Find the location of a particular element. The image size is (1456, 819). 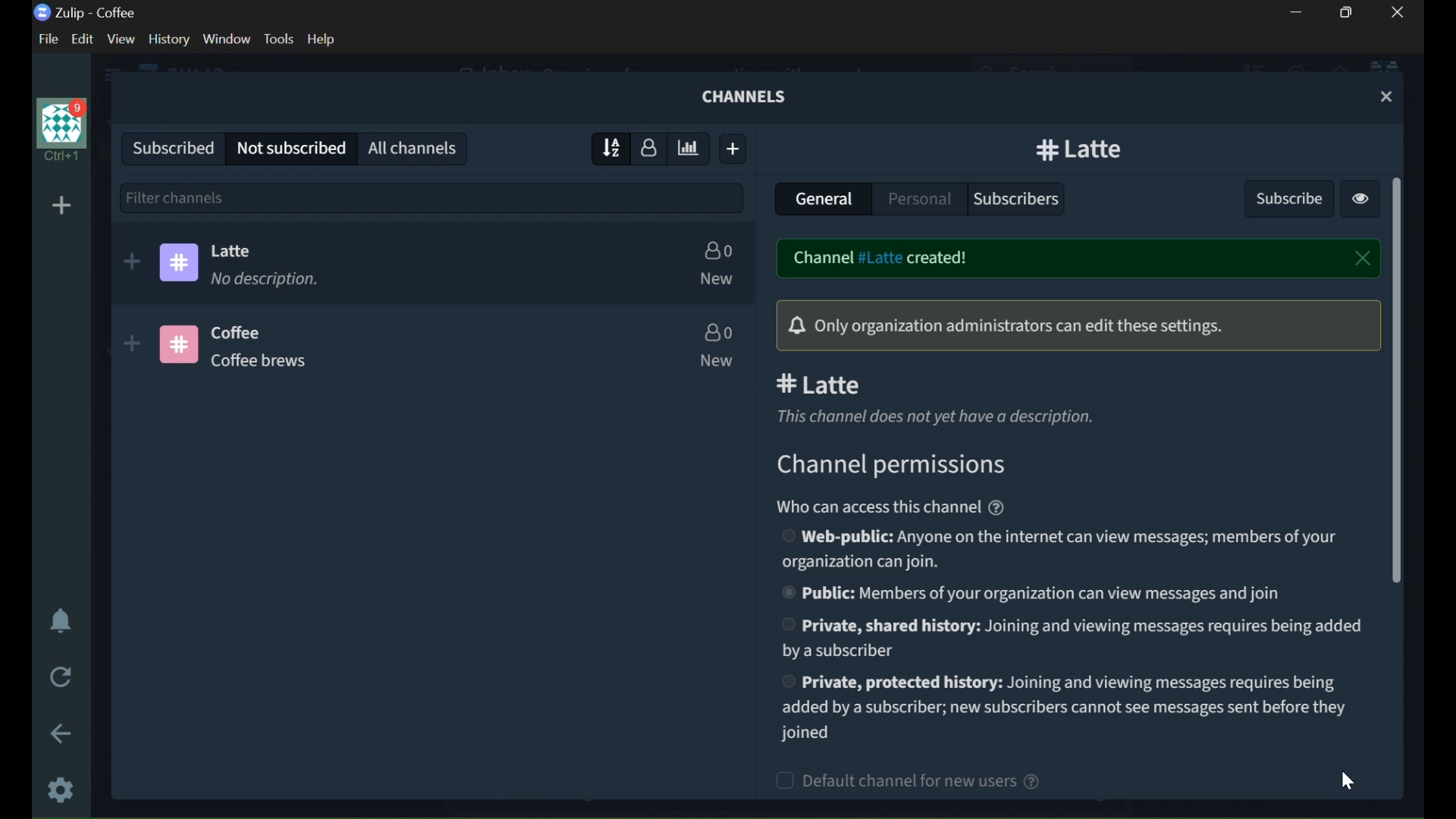

CLOSE is located at coordinates (1363, 259).